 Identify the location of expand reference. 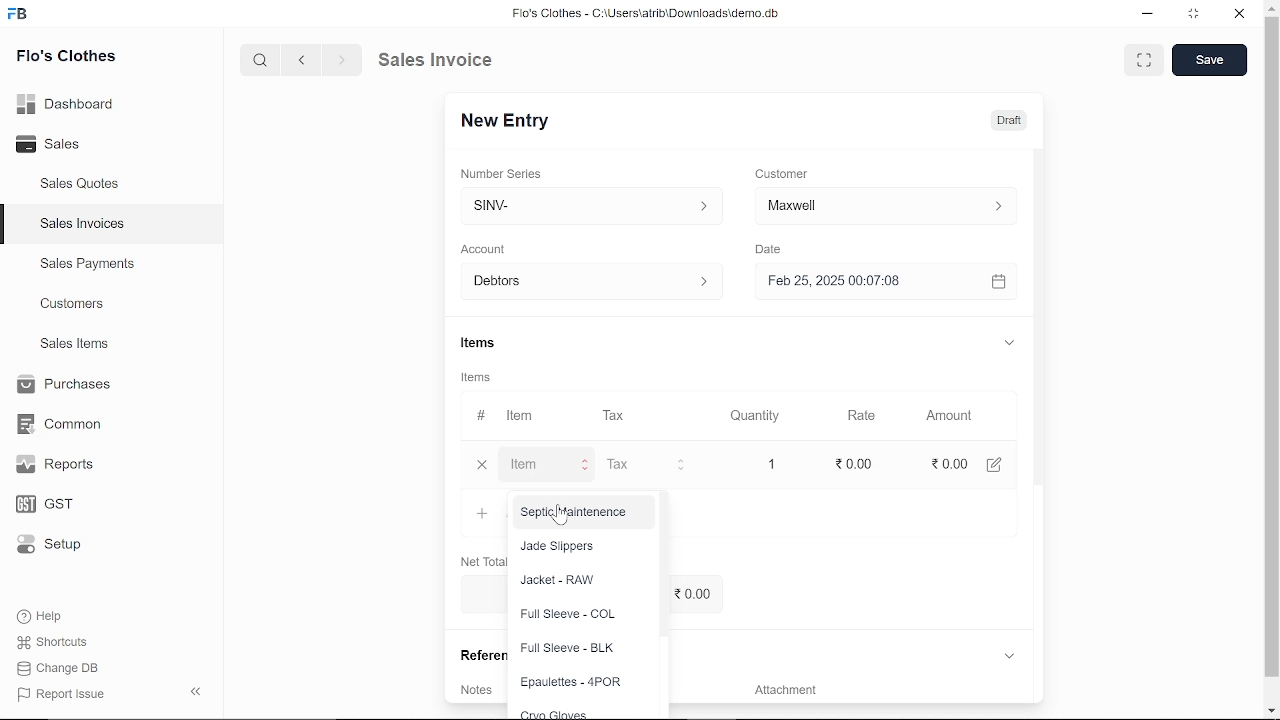
(1017, 655).